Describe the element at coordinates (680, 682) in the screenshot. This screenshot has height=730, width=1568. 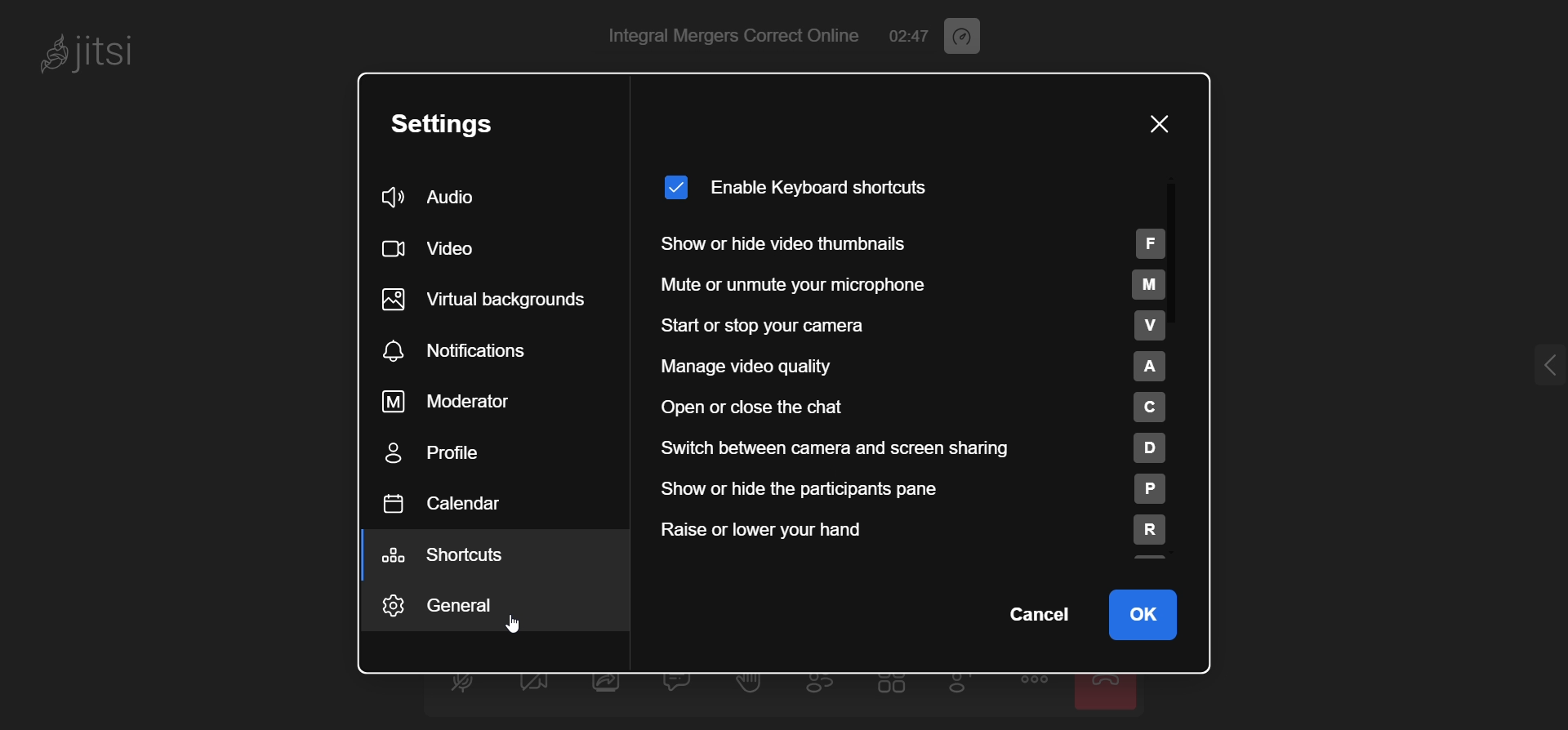
I see `chat bo` at that location.